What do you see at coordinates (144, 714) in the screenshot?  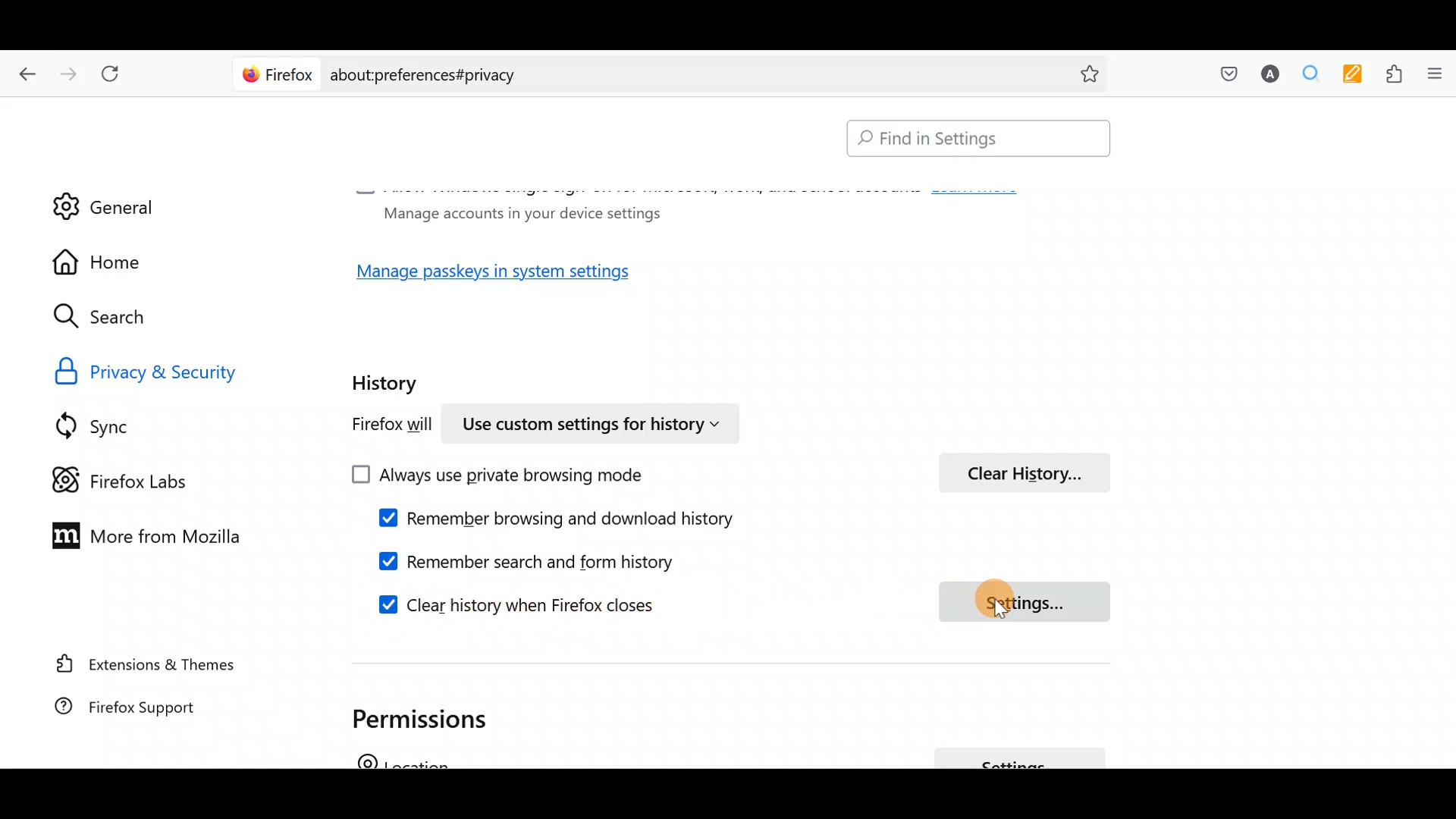 I see `Firefox support` at bounding box center [144, 714].